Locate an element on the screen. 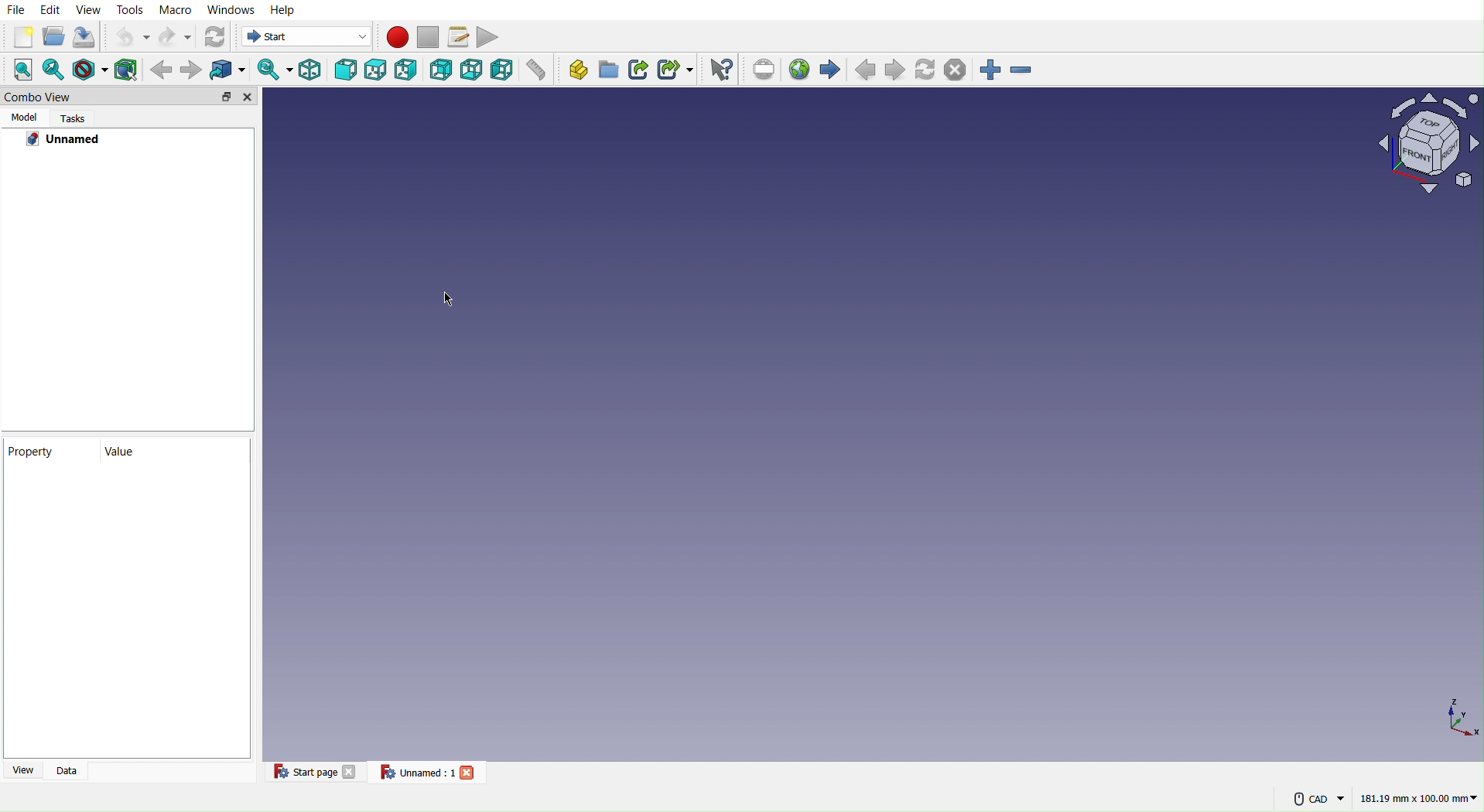  Execute a recorded macro is located at coordinates (458, 36).